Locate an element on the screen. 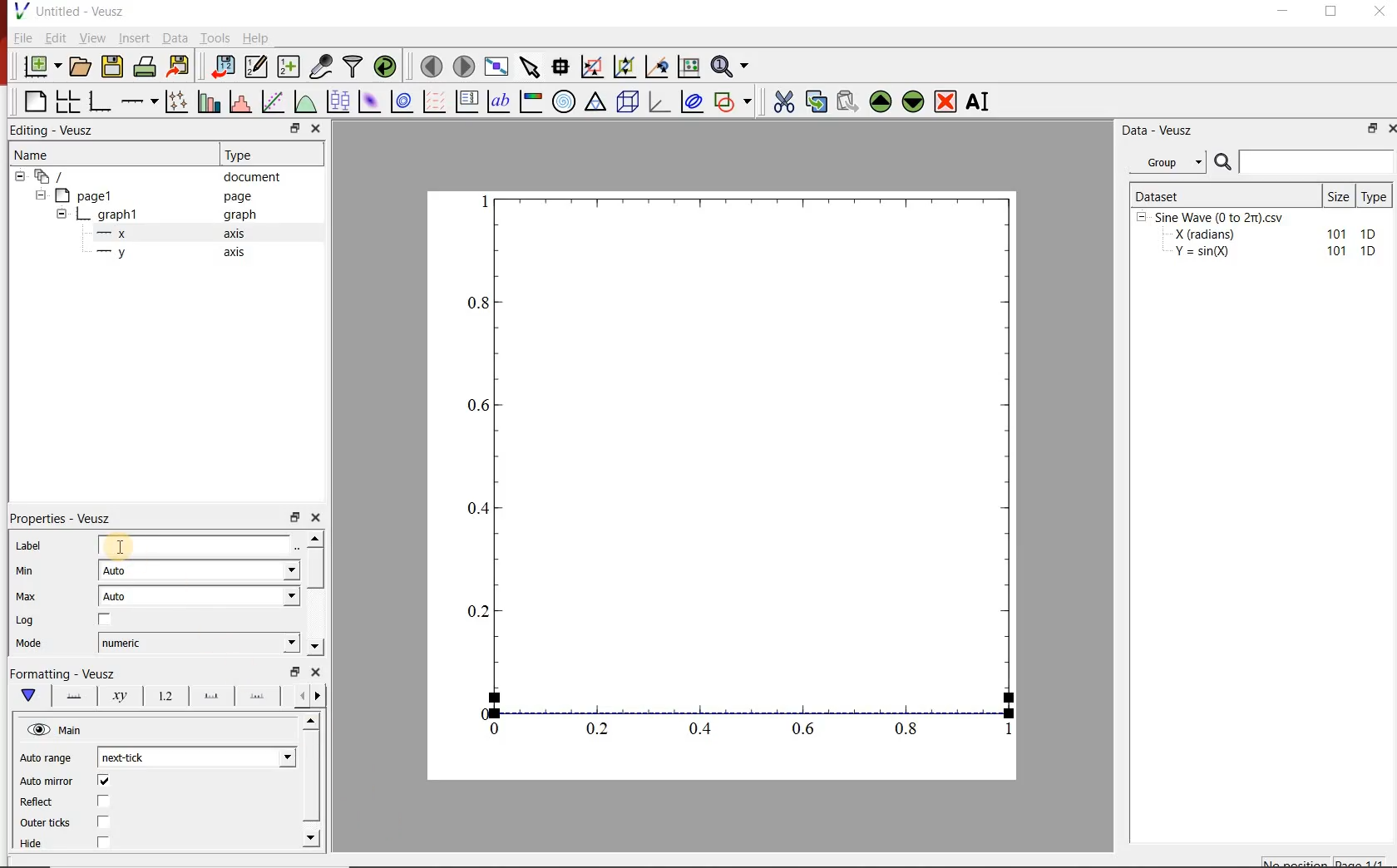 This screenshot has width=1397, height=868. Maximize is located at coordinates (1332, 12).